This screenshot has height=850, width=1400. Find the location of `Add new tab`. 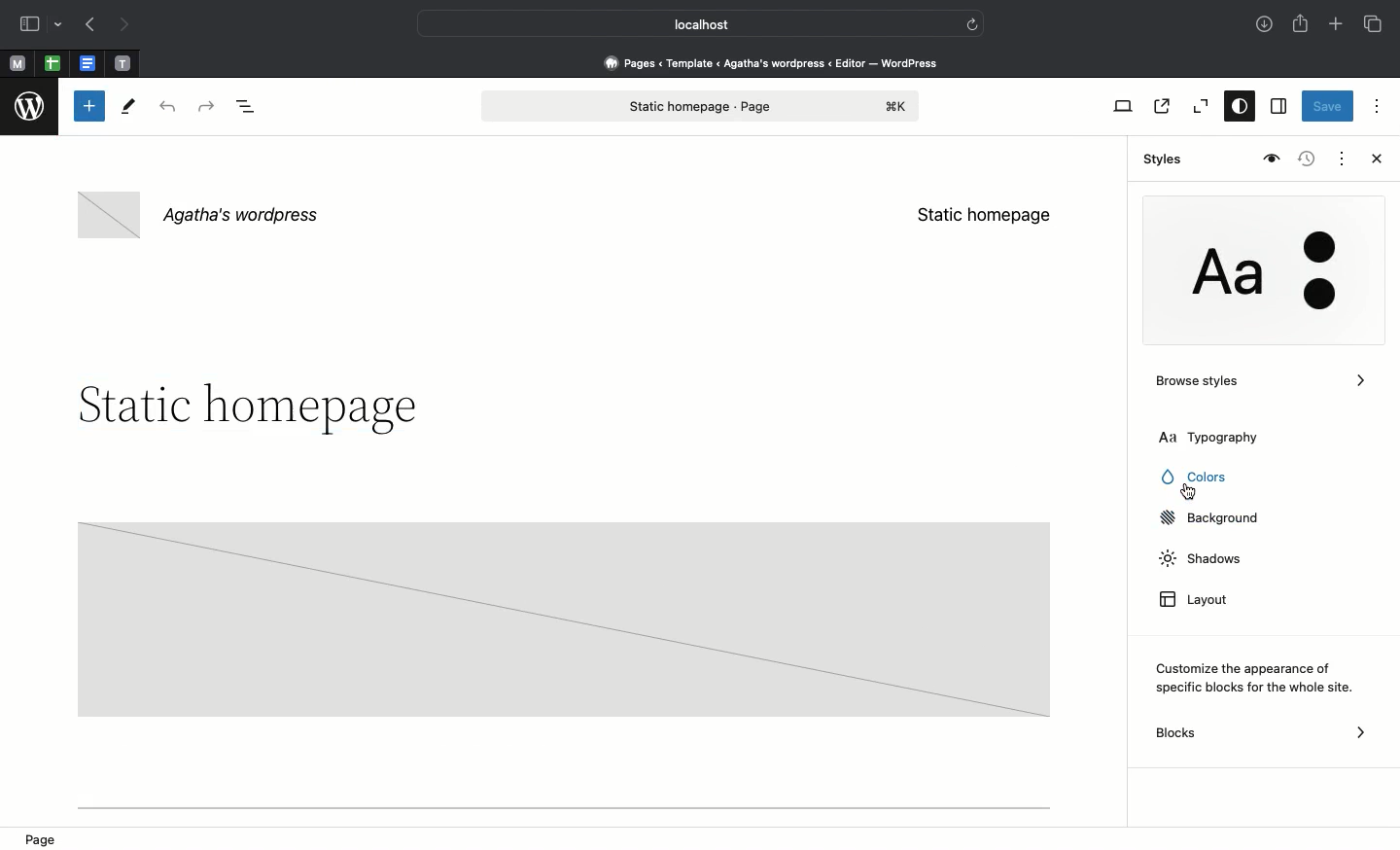

Add new tab is located at coordinates (1338, 26).